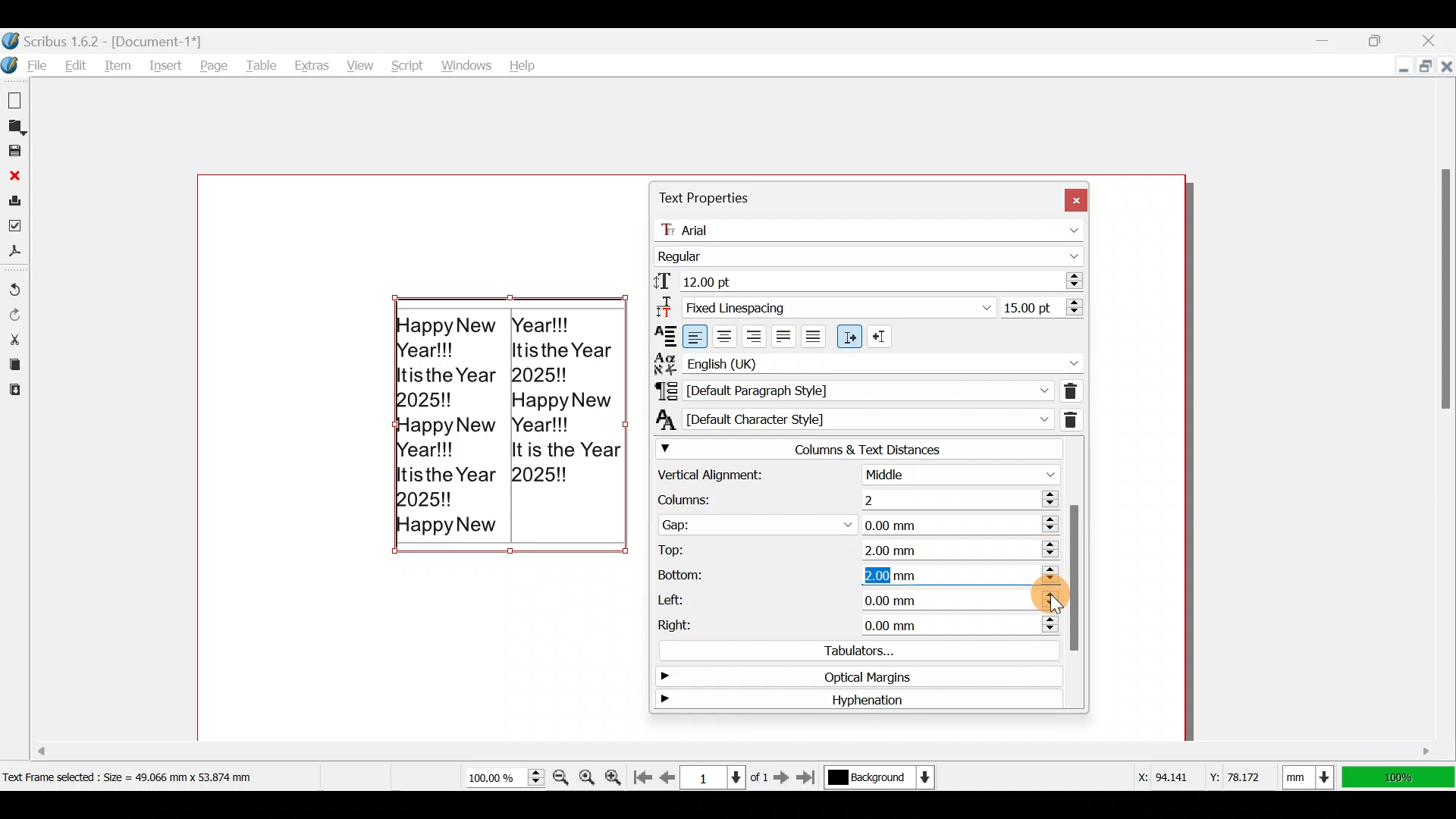 This screenshot has height=819, width=1456. What do you see at coordinates (849, 676) in the screenshot?
I see `Optical margins` at bounding box center [849, 676].